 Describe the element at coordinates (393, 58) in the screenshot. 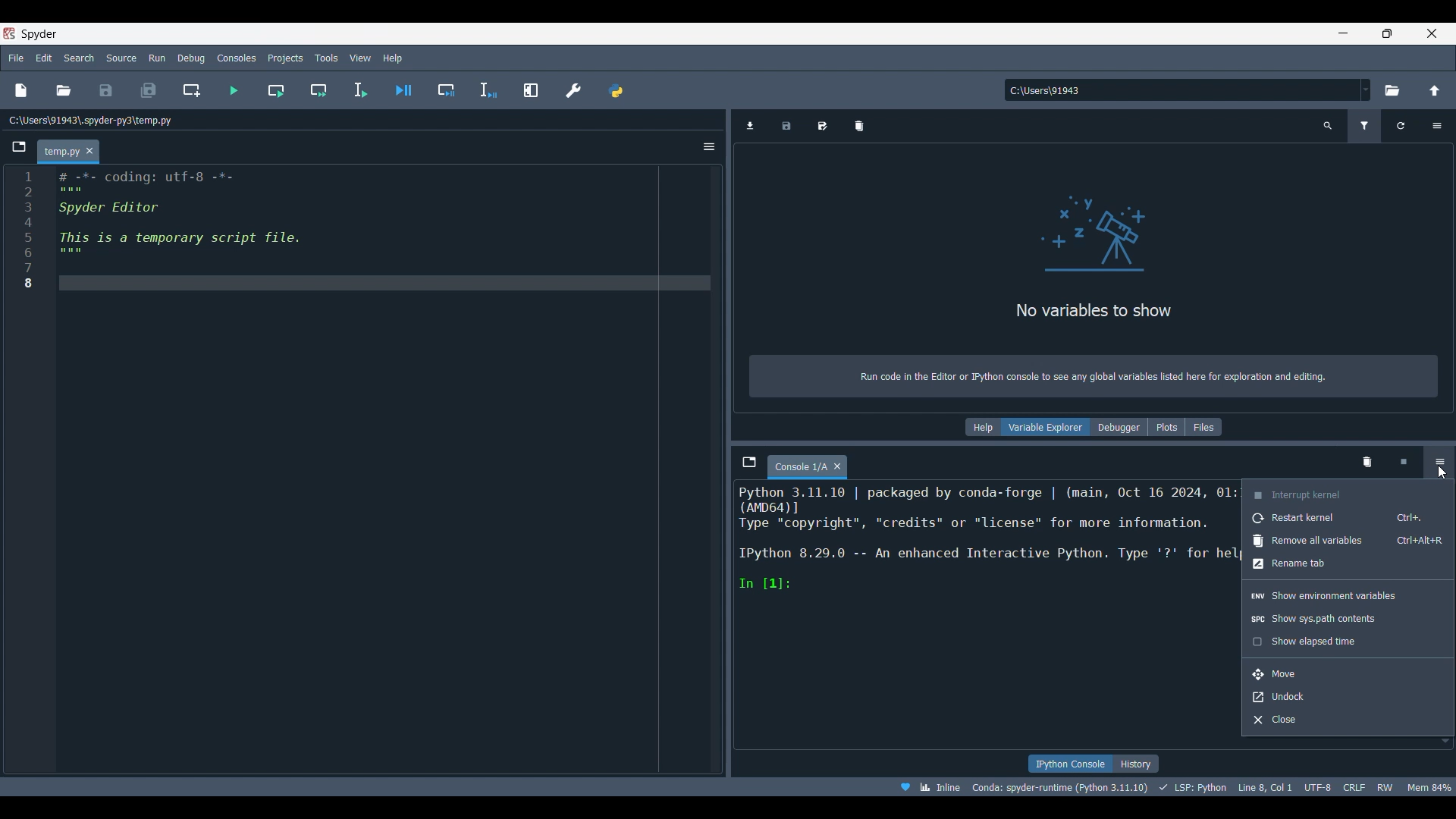

I see `Help menu` at that location.